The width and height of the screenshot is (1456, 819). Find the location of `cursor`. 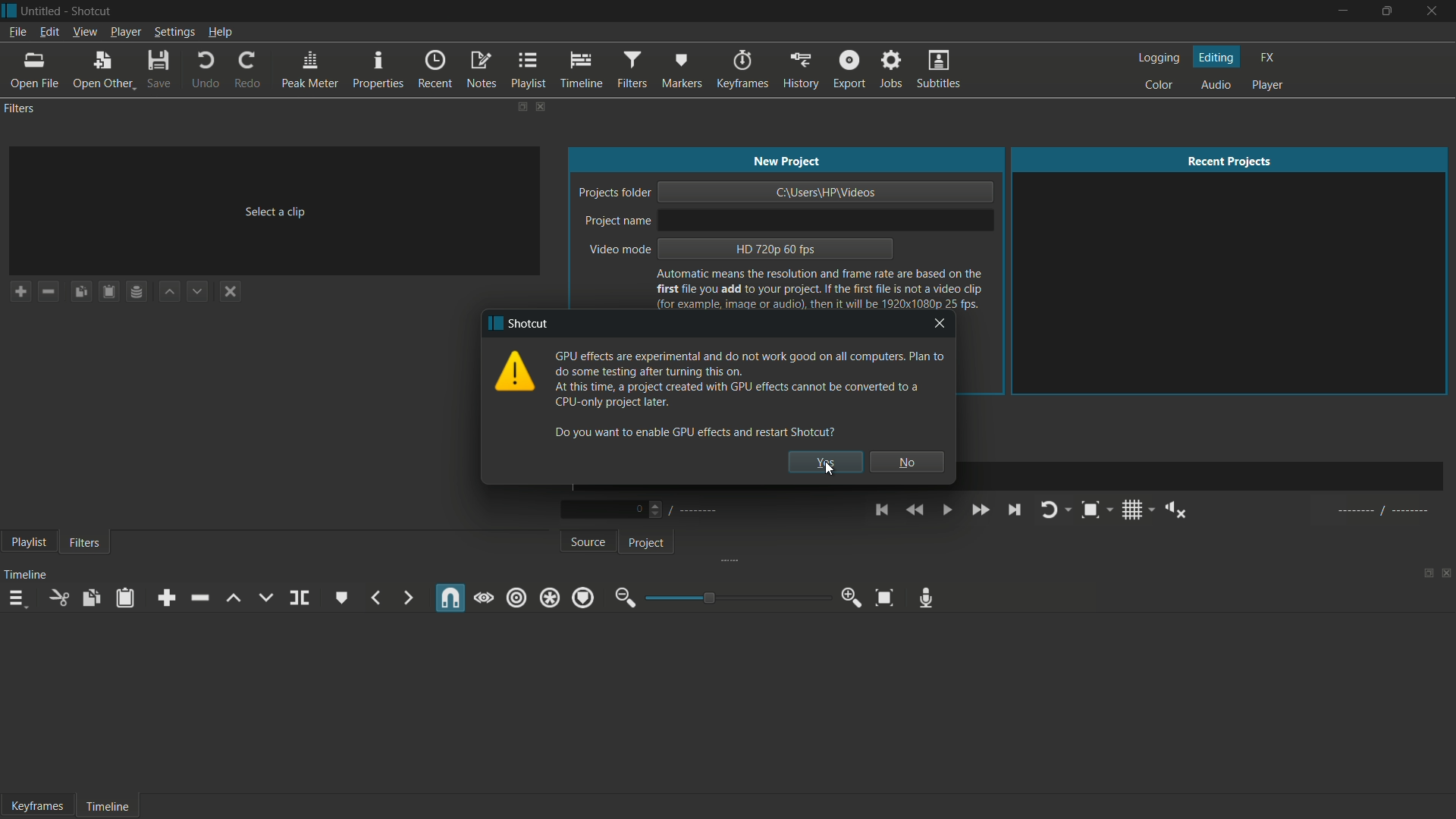

cursor is located at coordinates (830, 469).